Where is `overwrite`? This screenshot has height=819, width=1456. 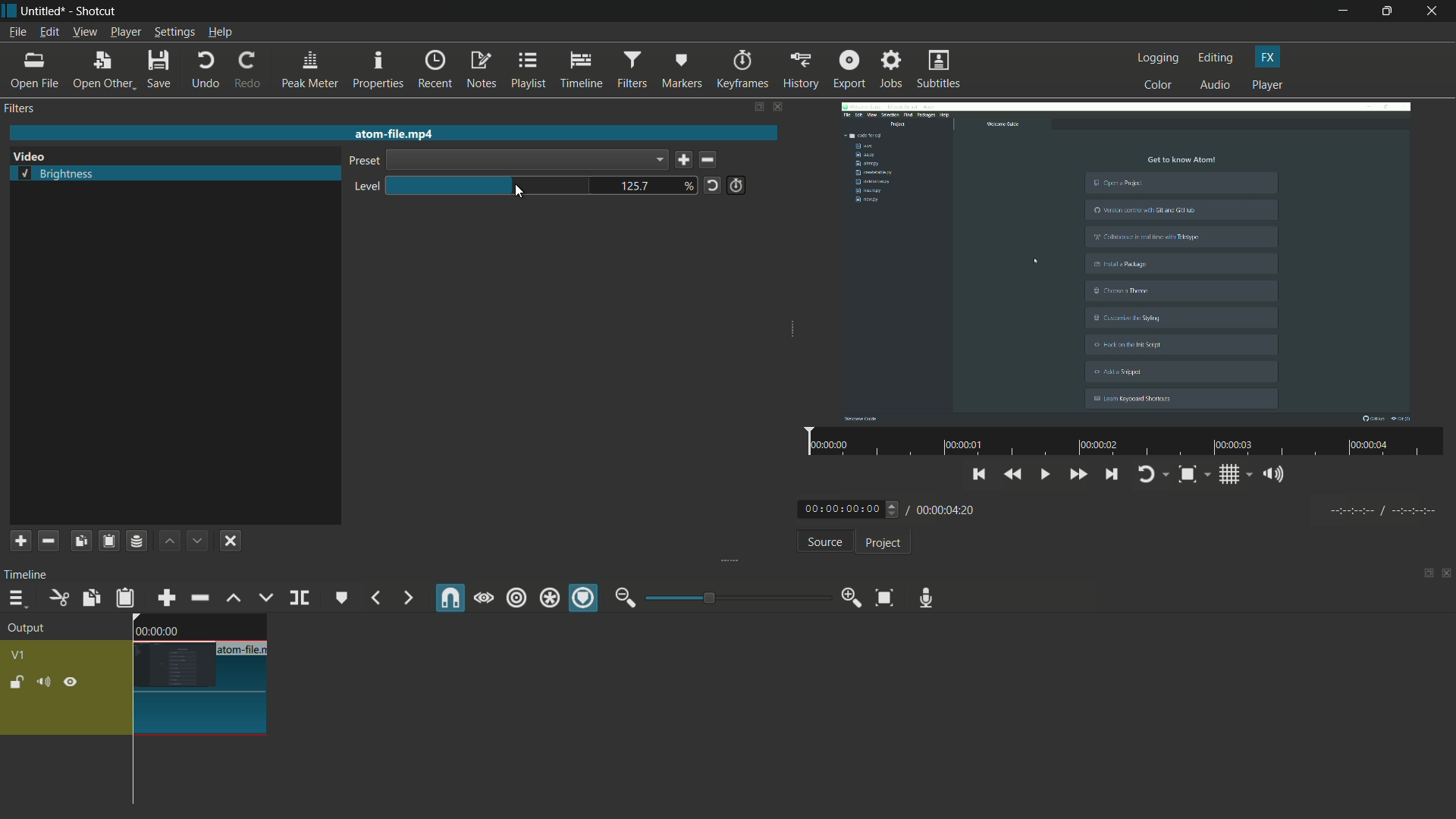
overwrite is located at coordinates (263, 598).